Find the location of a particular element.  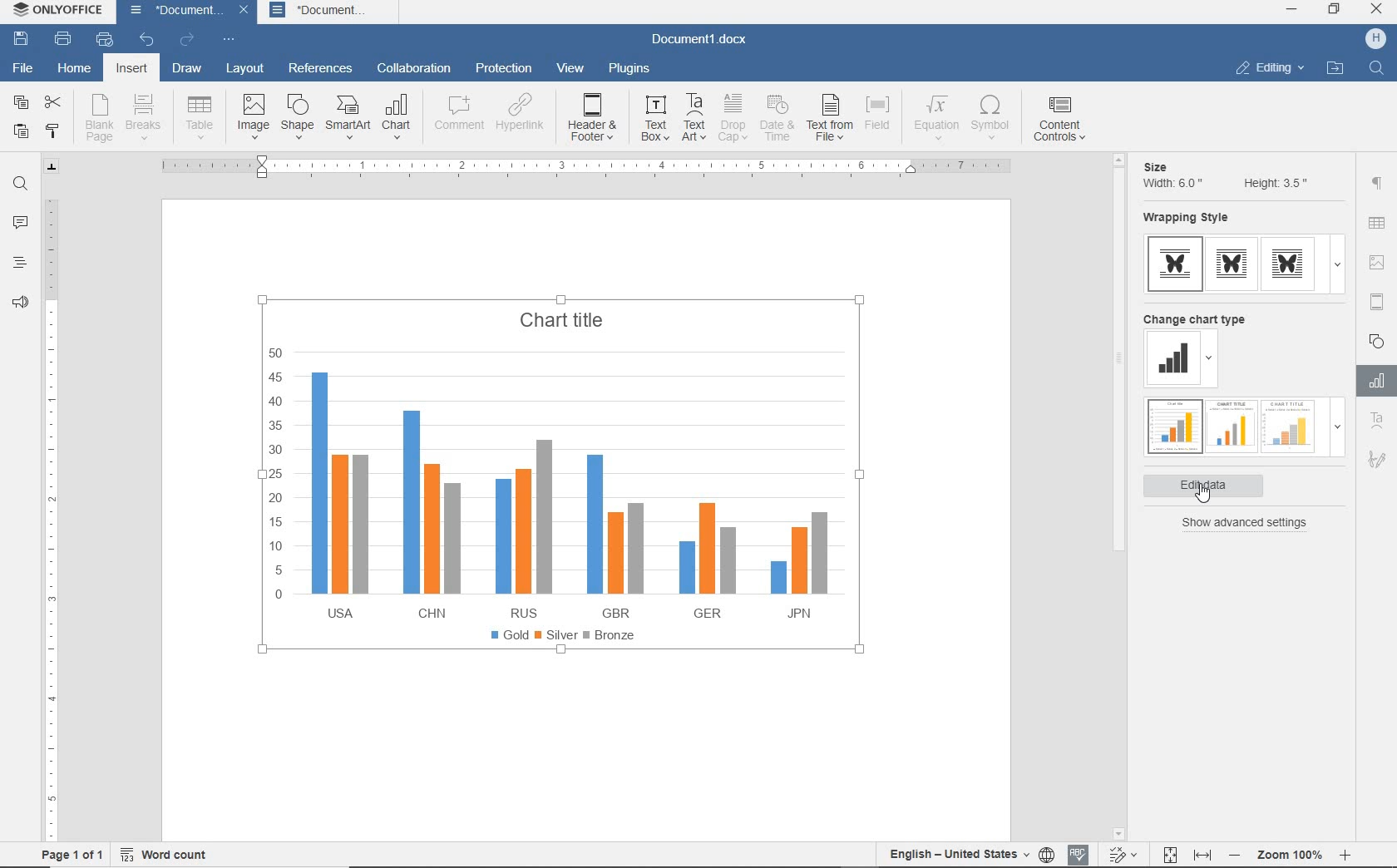

track changes is located at coordinates (1126, 852).